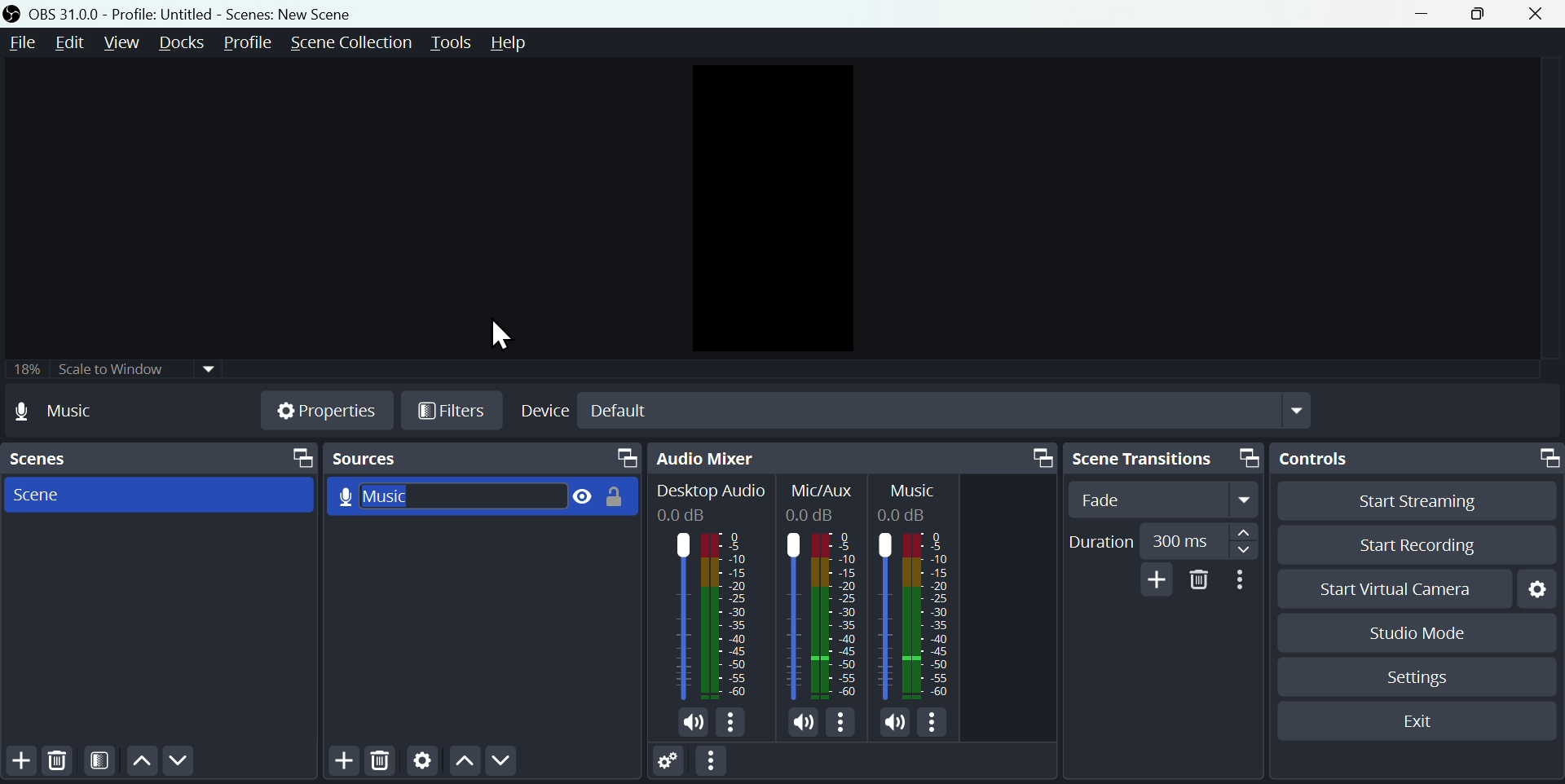 Image resolution: width=1565 pixels, height=784 pixels. What do you see at coordinates (1300, 410) in the screenshot?
I see `Drop down ` at bounding box center [1300, 410].